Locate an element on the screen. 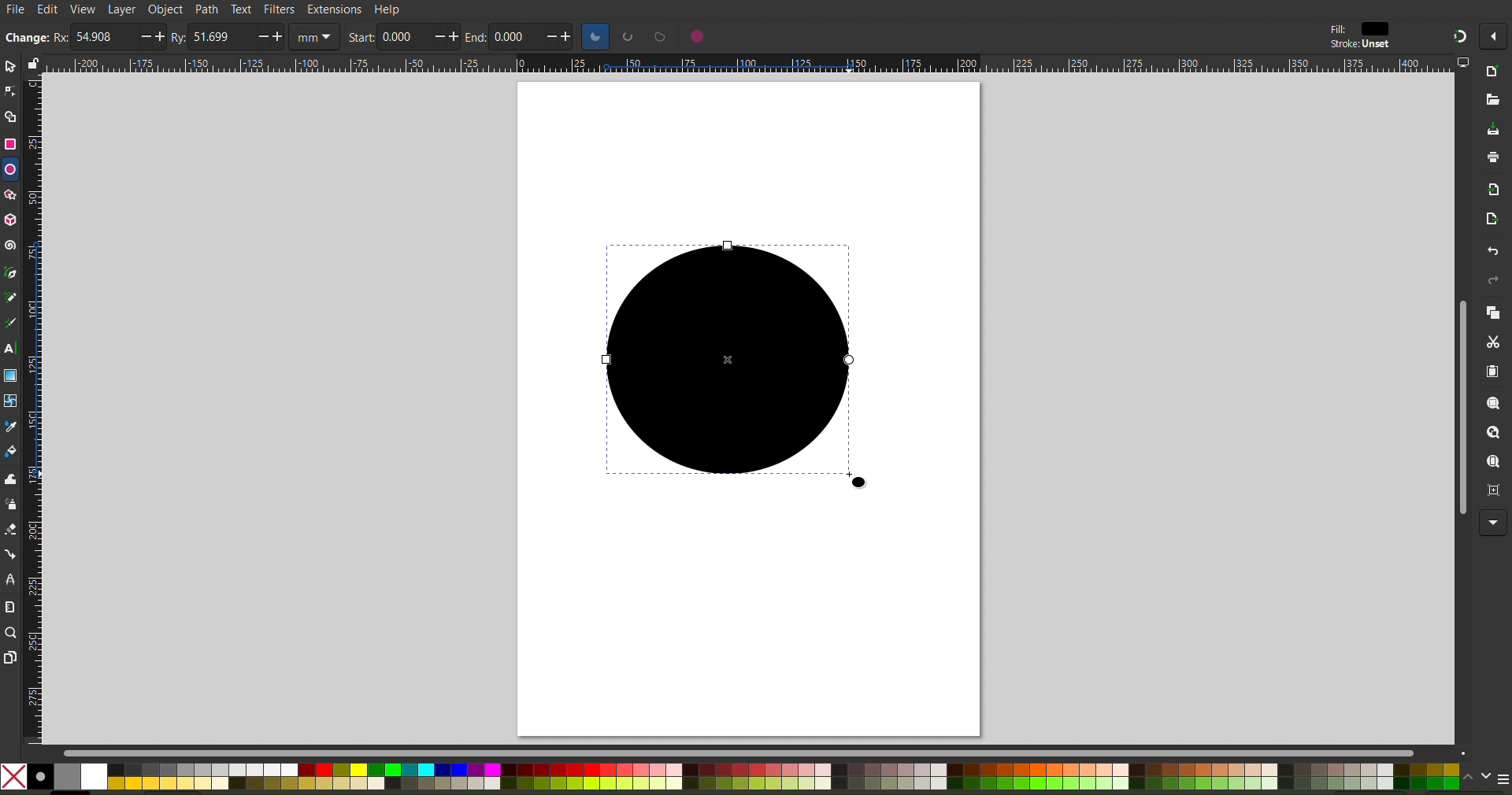  circle options is located at coordinates (628, 37).